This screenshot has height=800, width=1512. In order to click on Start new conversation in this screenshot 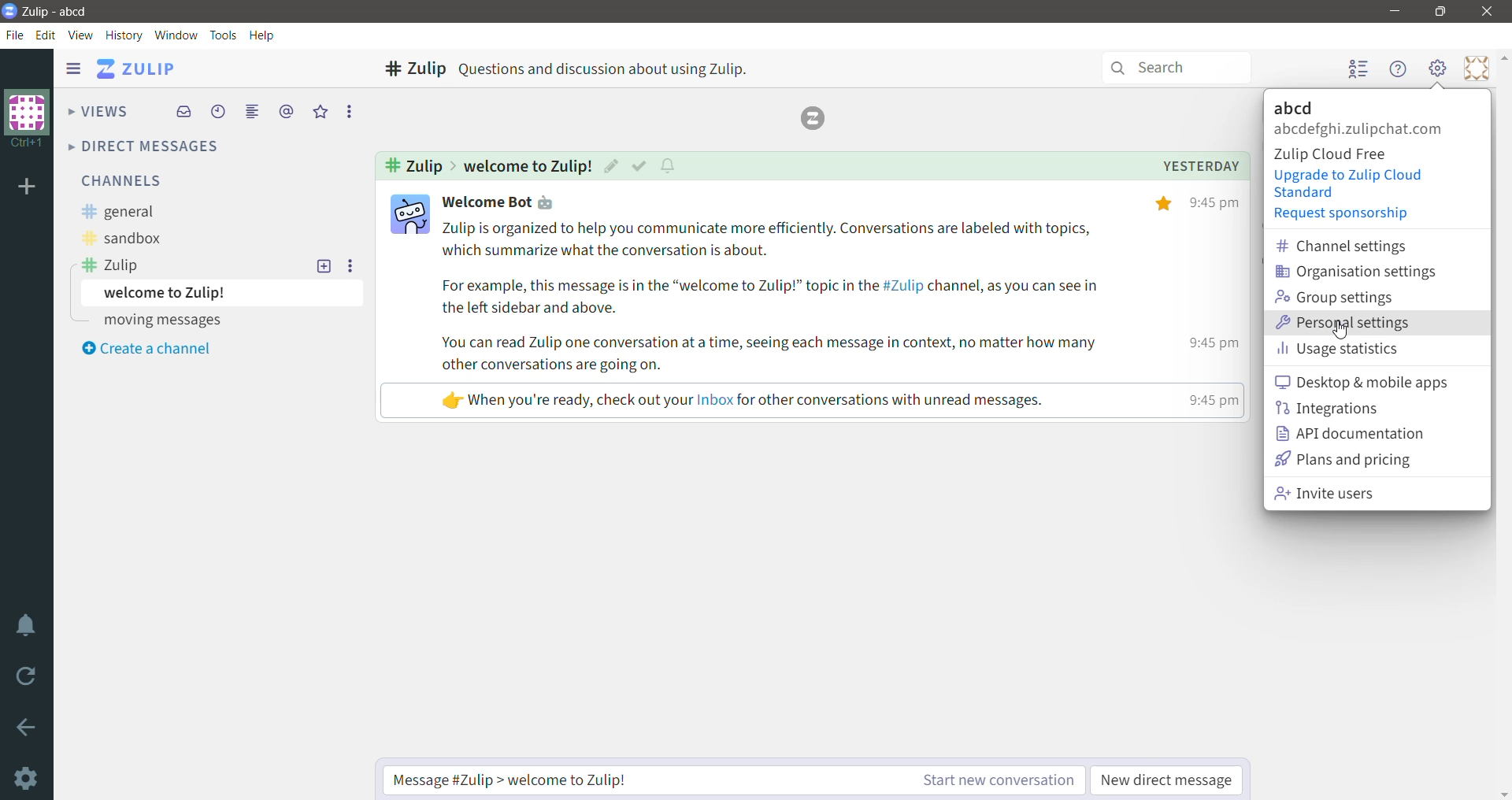, I will do `click(984, 780)`.